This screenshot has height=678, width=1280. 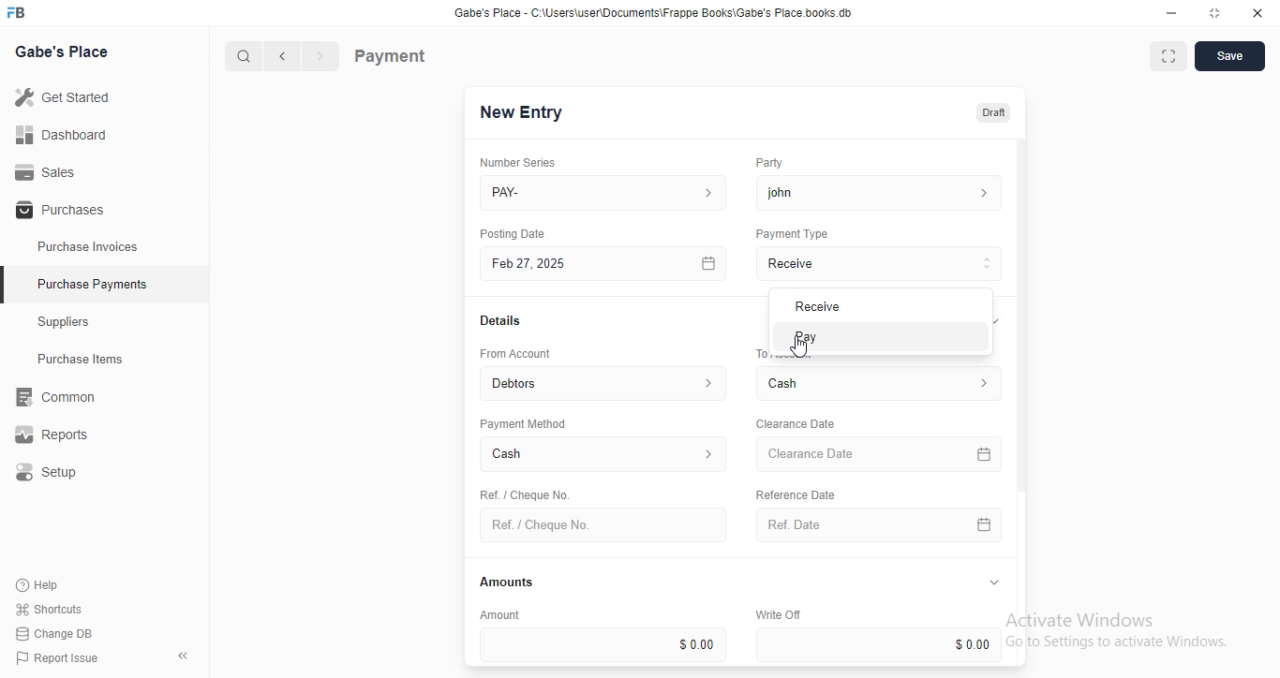 What do you see at coordinates (8, 287) in the screenshot?
I see `selected` at bounding box center [8, 287].